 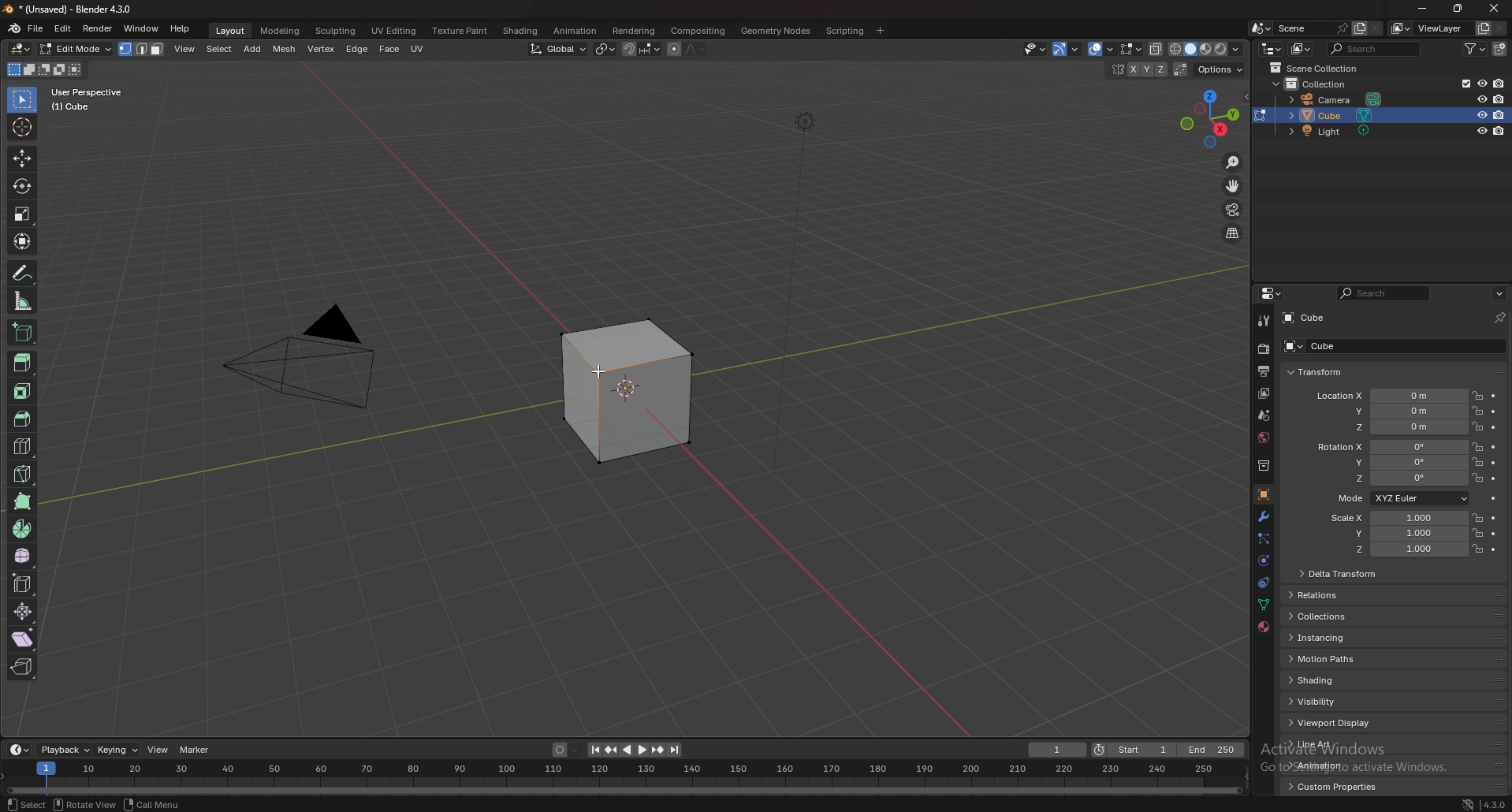 What do you see at coordinates (143, 28) in the screenshot?
I see `window` at bounding box center [143, 28].